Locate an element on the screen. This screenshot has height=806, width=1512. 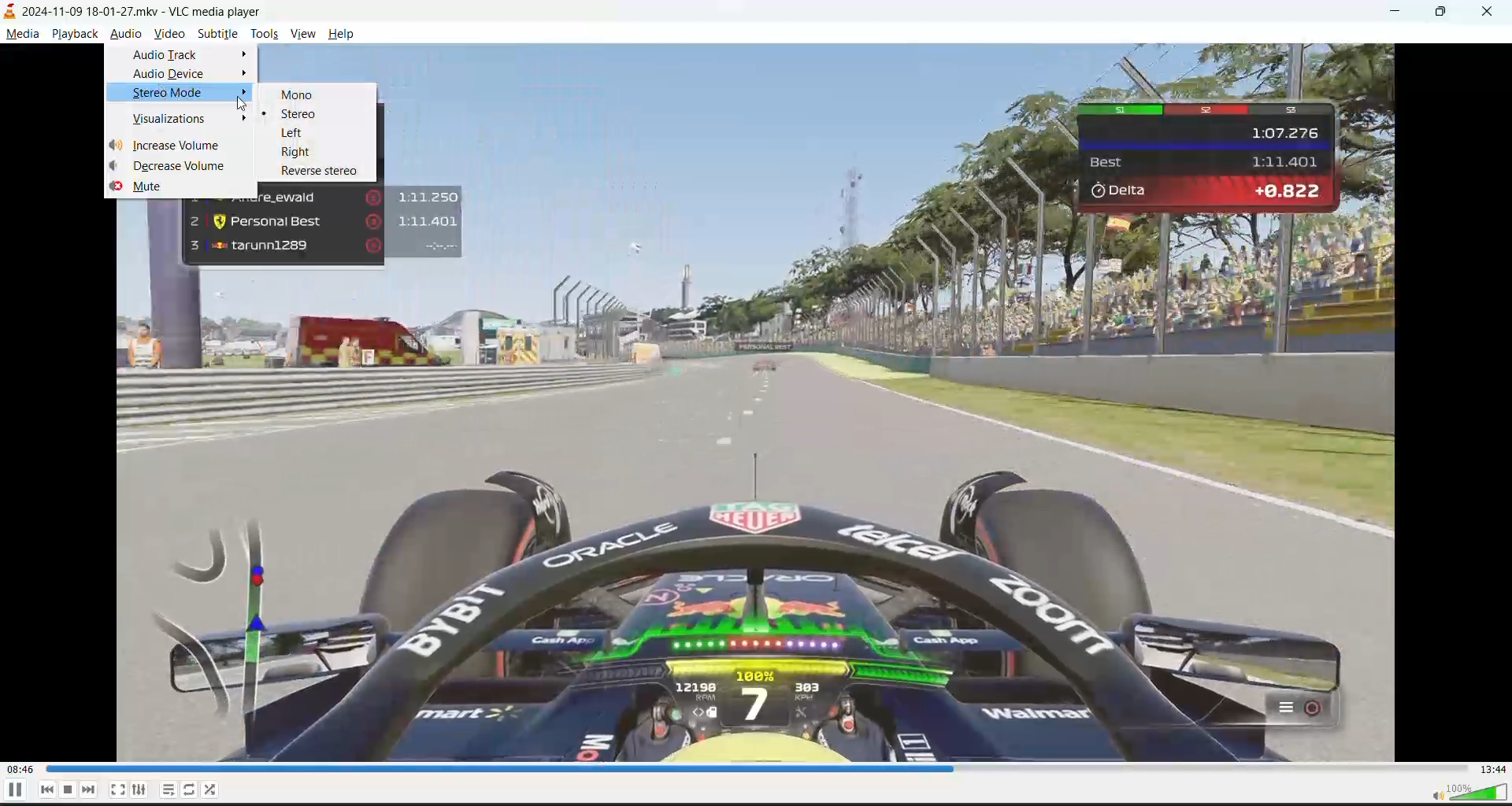
increase volume is located at coordinates (176, 144).